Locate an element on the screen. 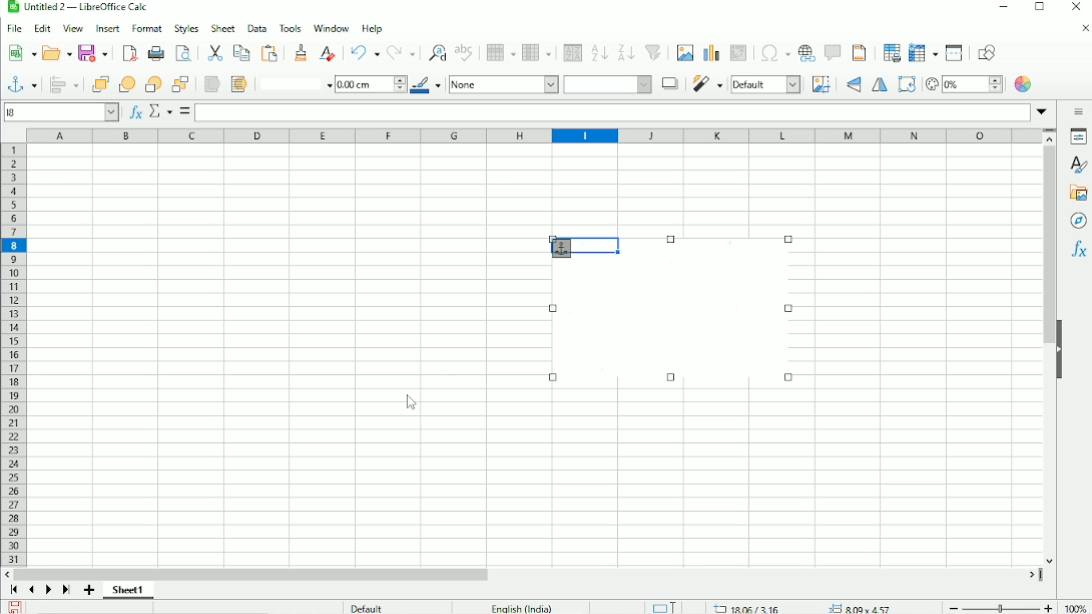 This screenshot has width=1092, height=614. Split window is located at coordinates (957, 53).